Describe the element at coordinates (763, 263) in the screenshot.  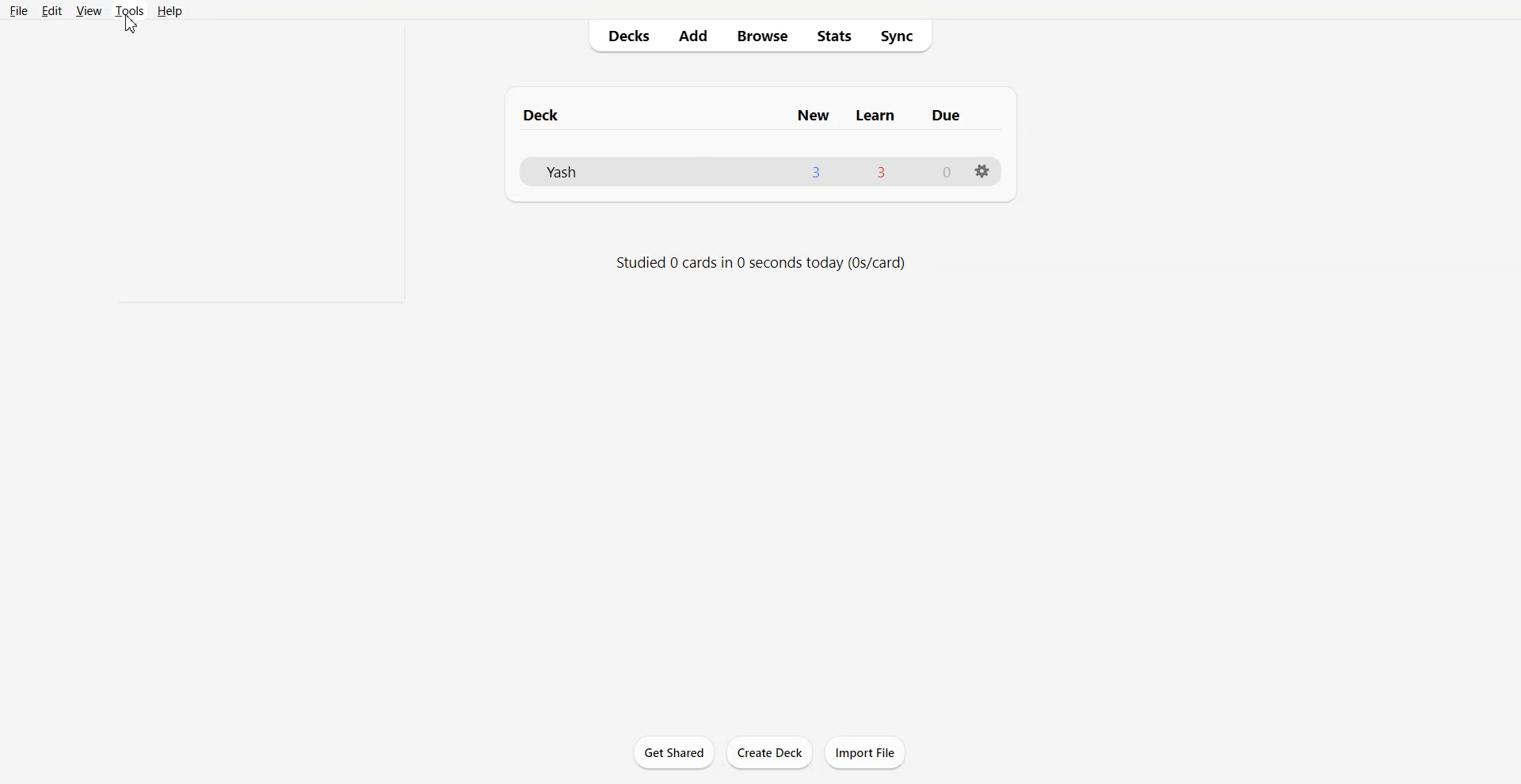
I see `Text 2` at that location.